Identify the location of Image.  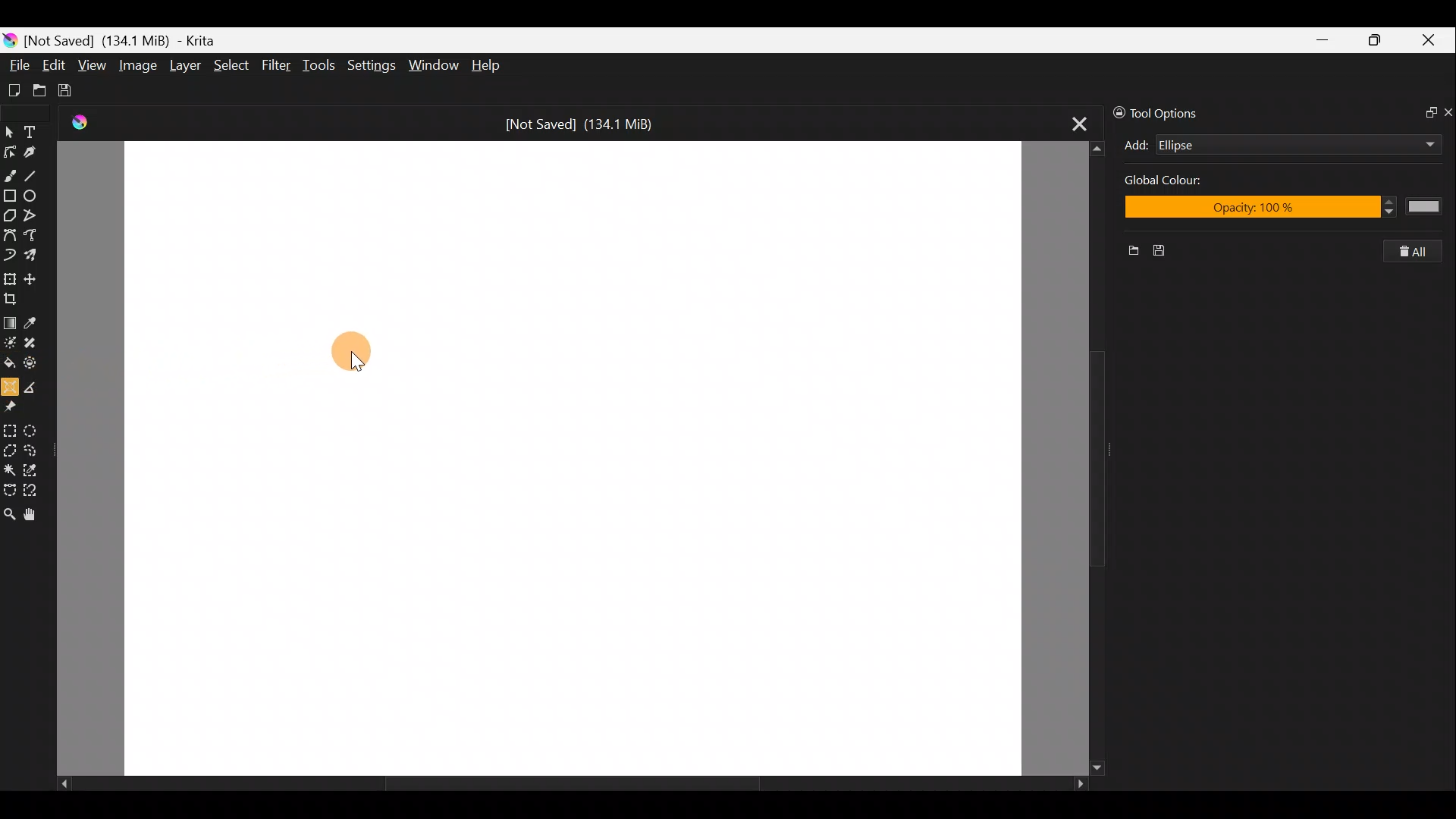
(140, 64).